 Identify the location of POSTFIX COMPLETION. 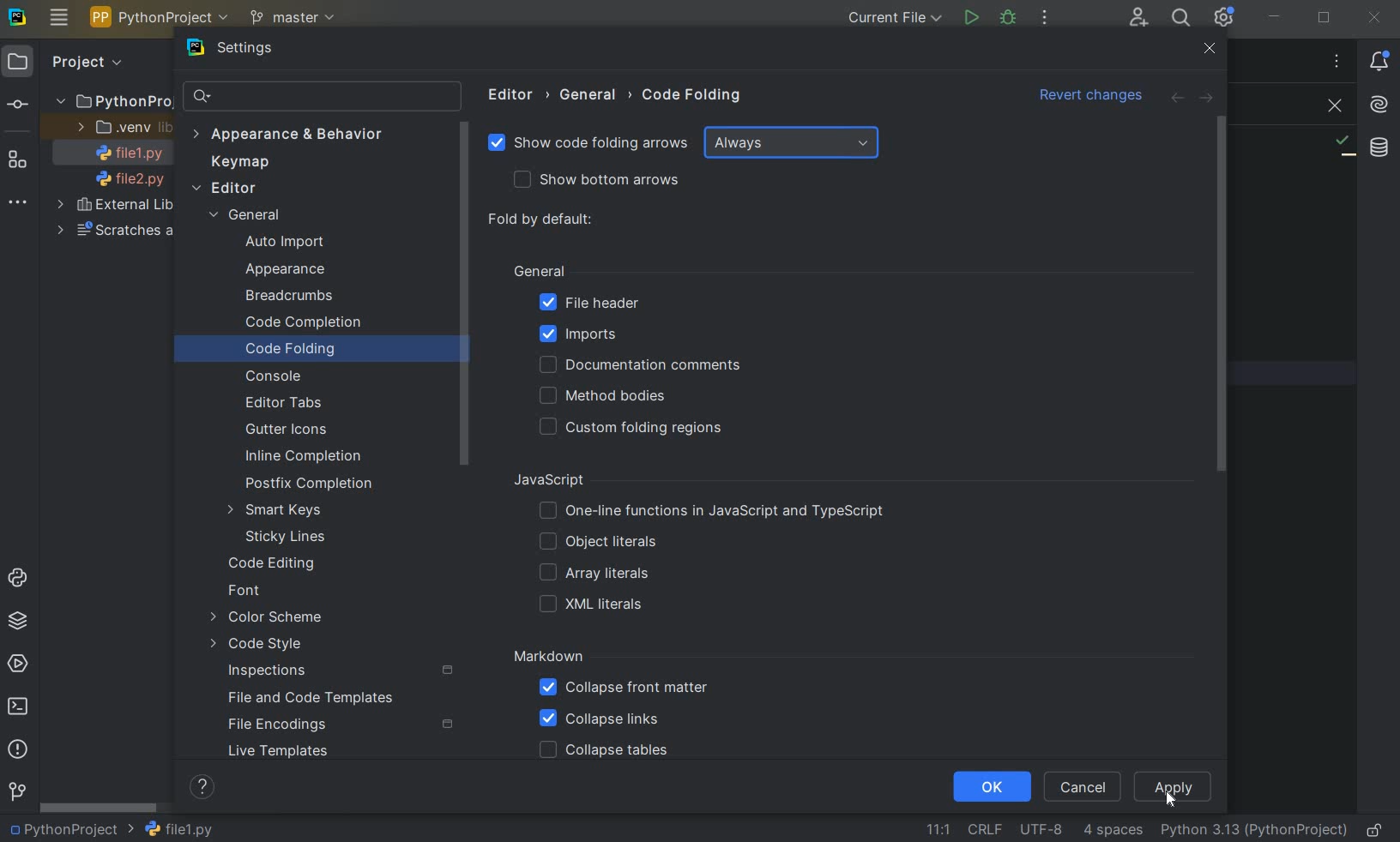
(306, 485).